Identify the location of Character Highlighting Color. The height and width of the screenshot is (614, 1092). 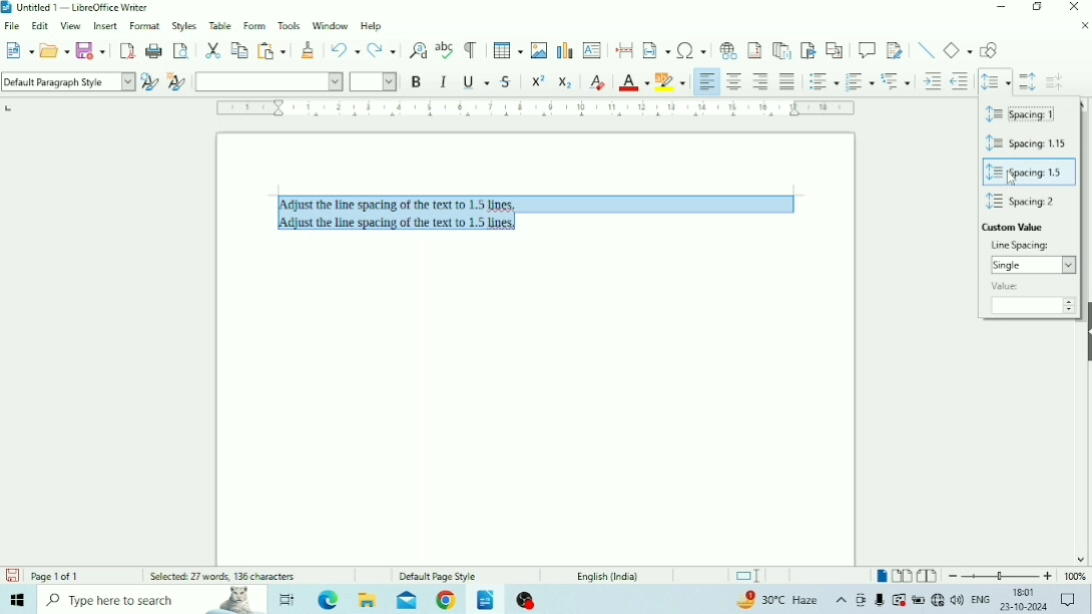
(670, 81).